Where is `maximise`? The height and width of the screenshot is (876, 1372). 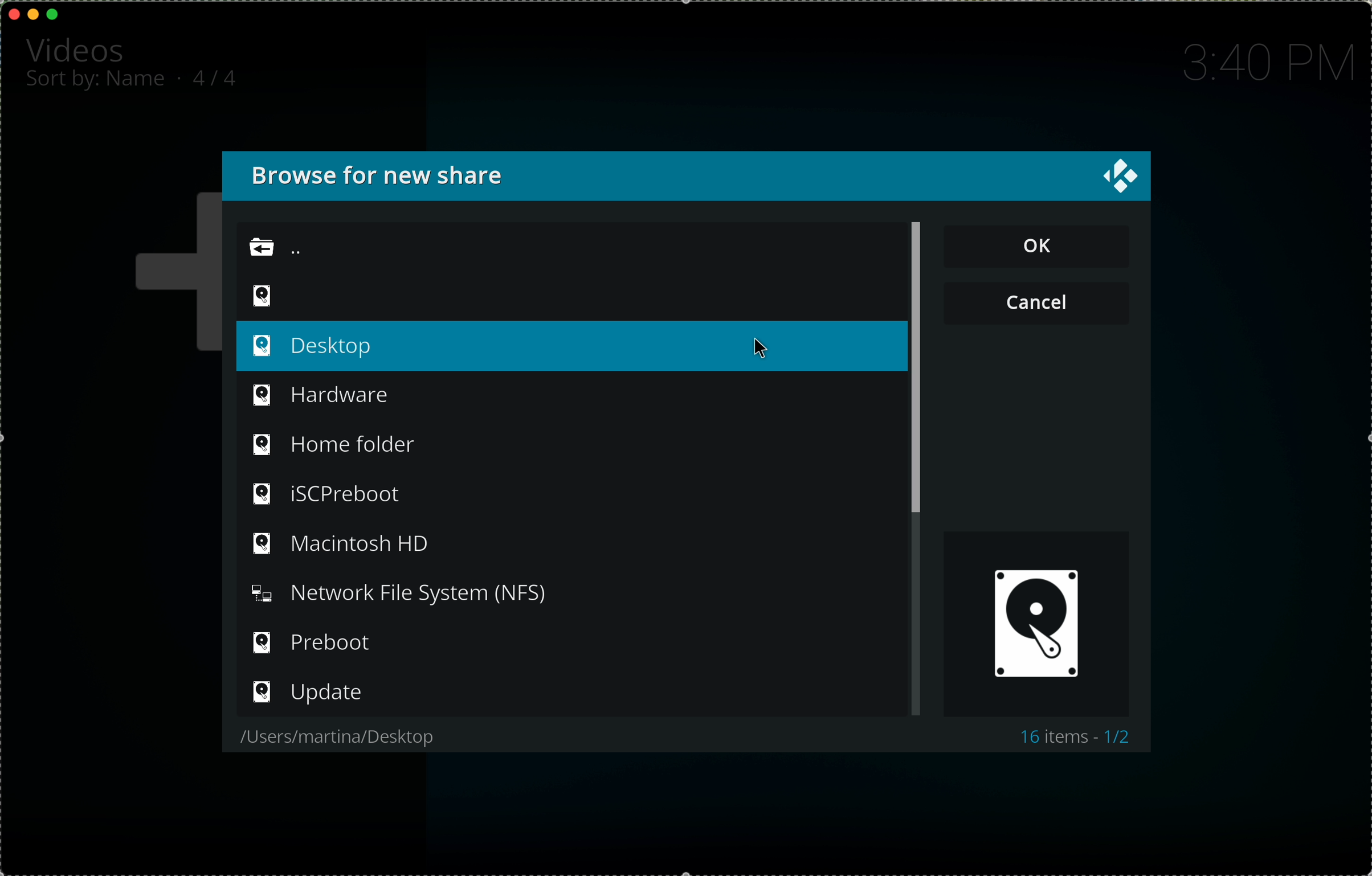
maximise is located at coordinates (54, 14).